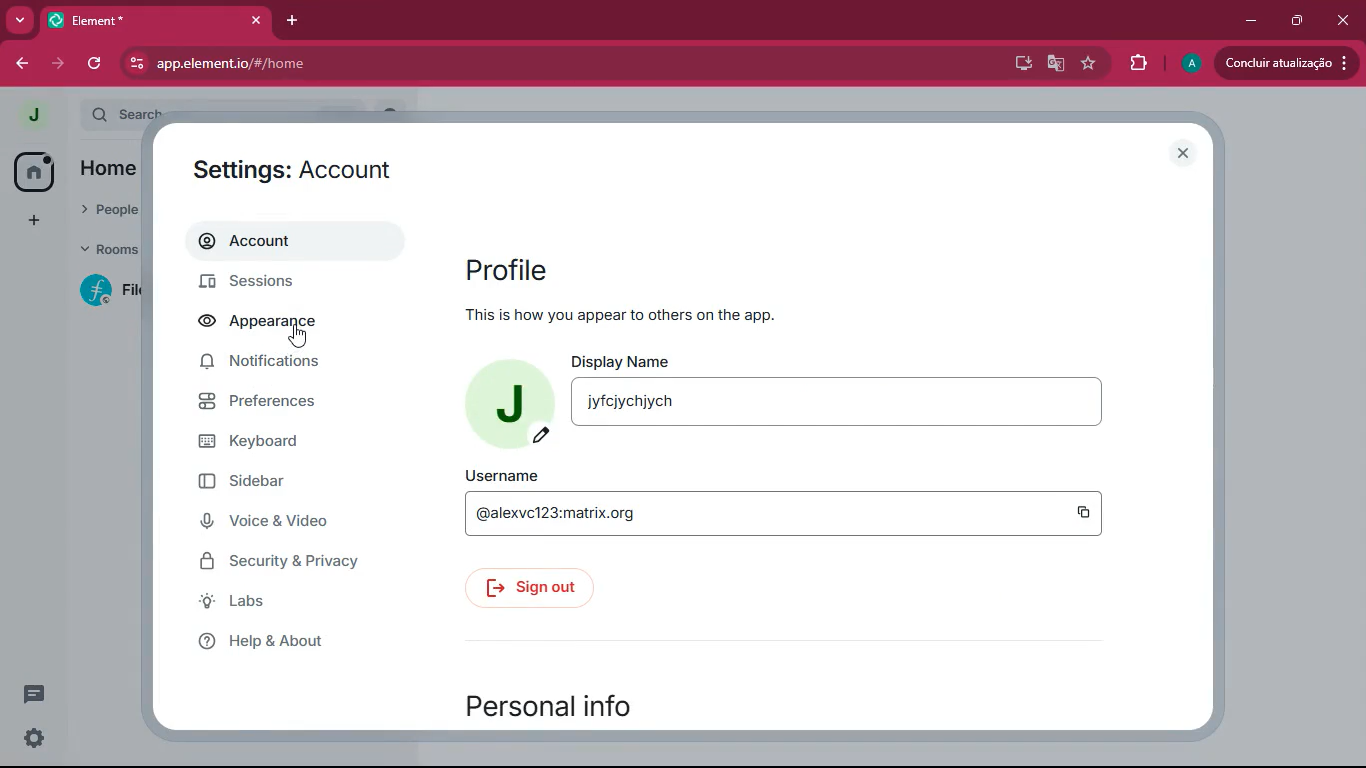  Describe the element at coordinates (530, 585) in the screenshot. I see `signout` at that location.